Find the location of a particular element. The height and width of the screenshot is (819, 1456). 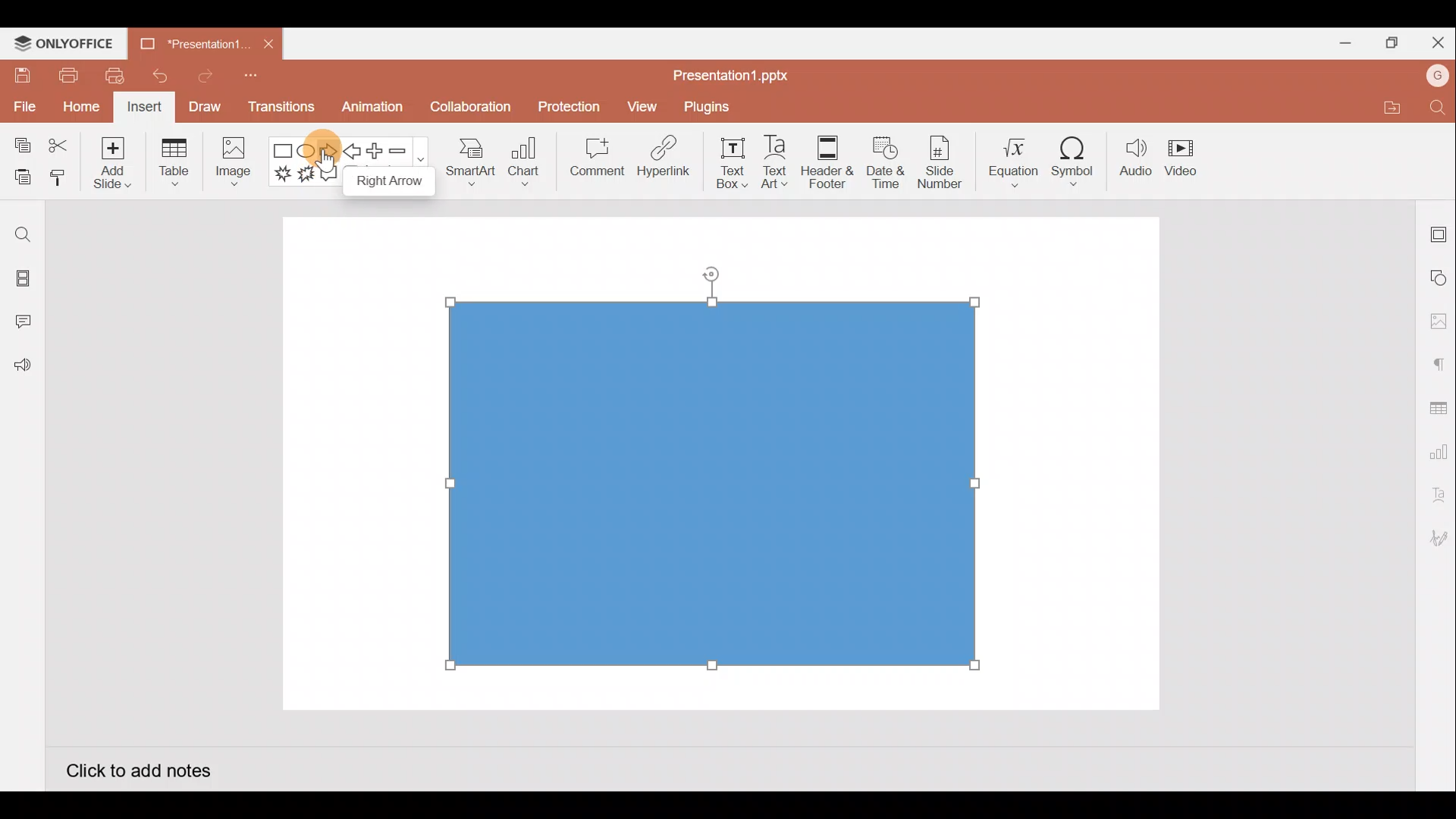

Find is located at coordinates (1439, 107).